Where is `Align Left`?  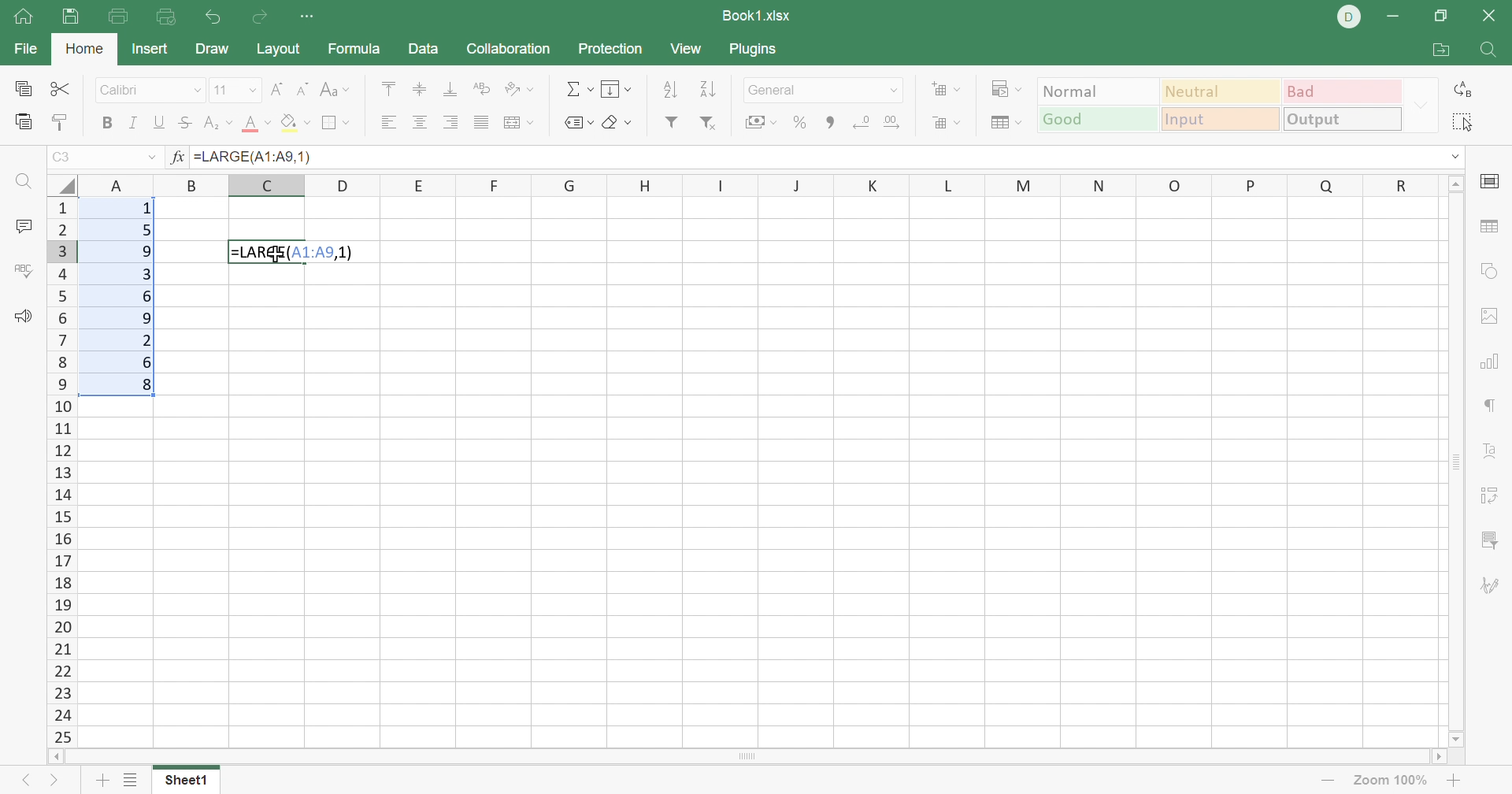 Align Left is located at coordinates (388, 122).